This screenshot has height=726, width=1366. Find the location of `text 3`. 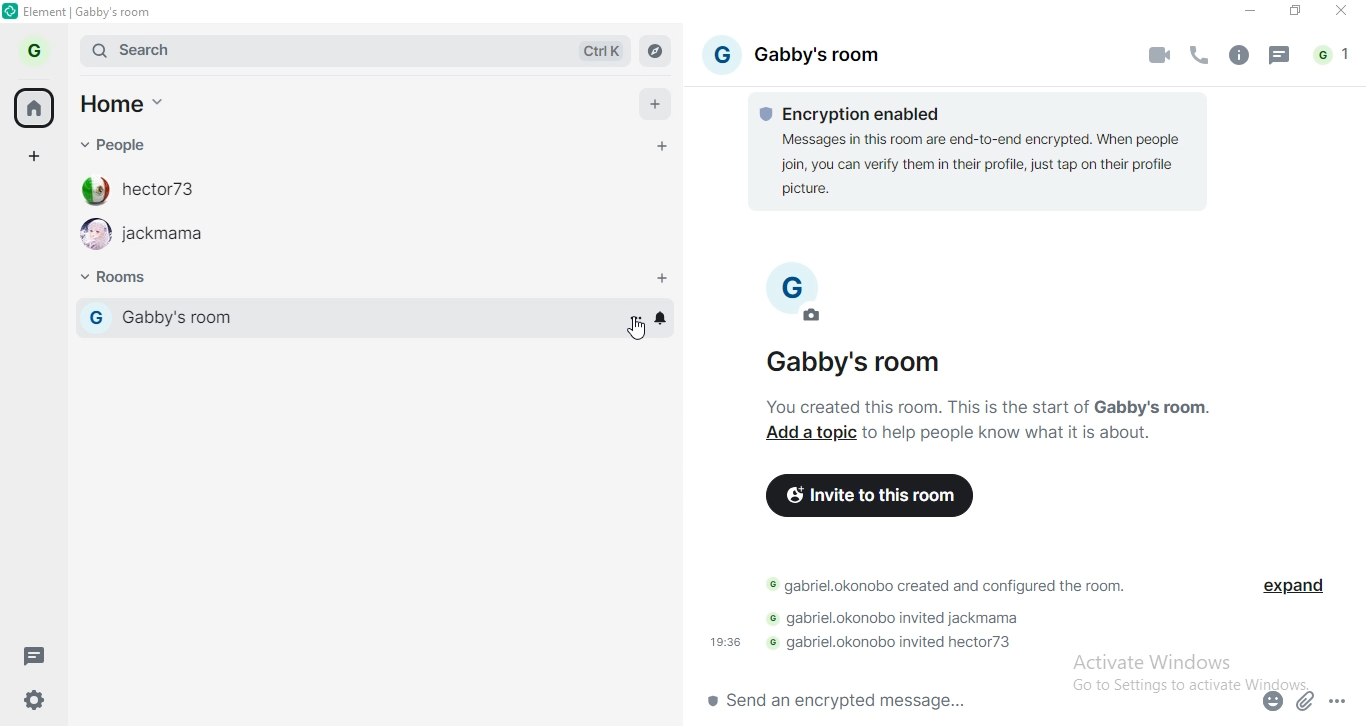

text 3 is located at coordinates (911, 617).